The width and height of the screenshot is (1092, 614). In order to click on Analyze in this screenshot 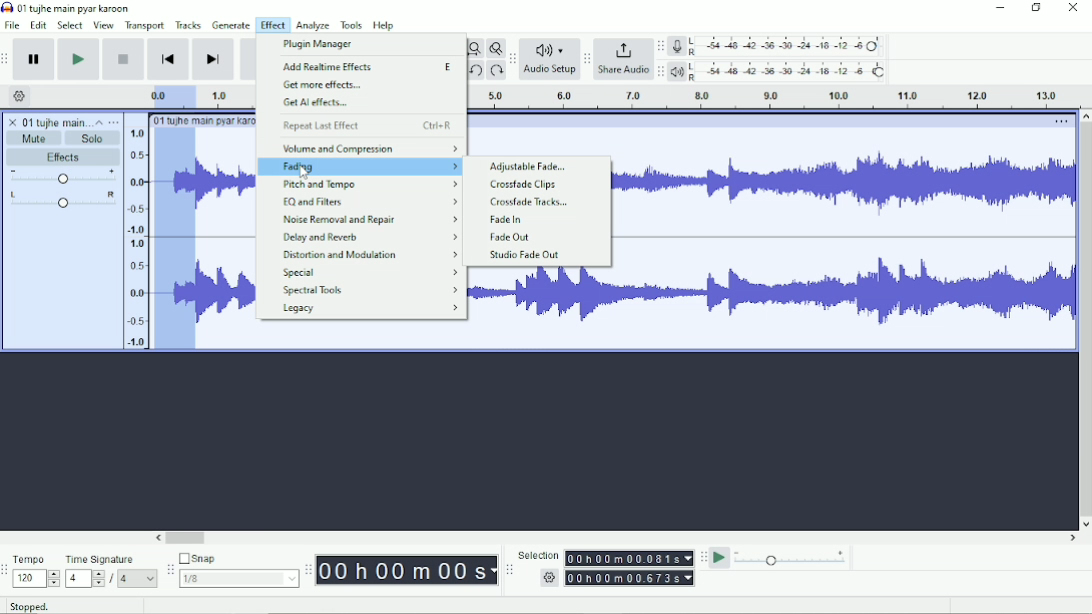, I will do `click(314, 26)`.